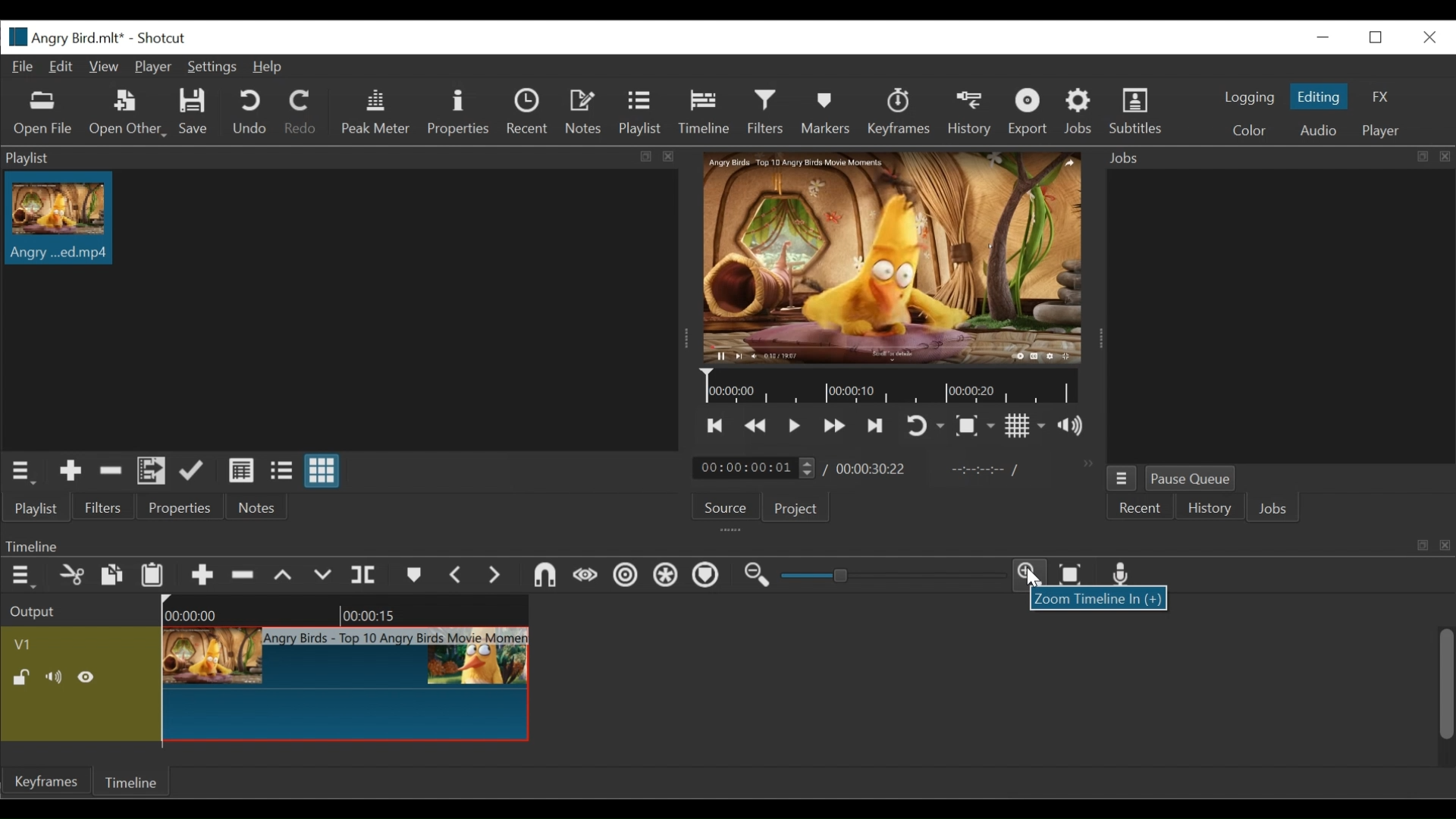  Describe the element at coordinates (756, 575) in the screenshot. I see `Zoom timeline out` at that location.